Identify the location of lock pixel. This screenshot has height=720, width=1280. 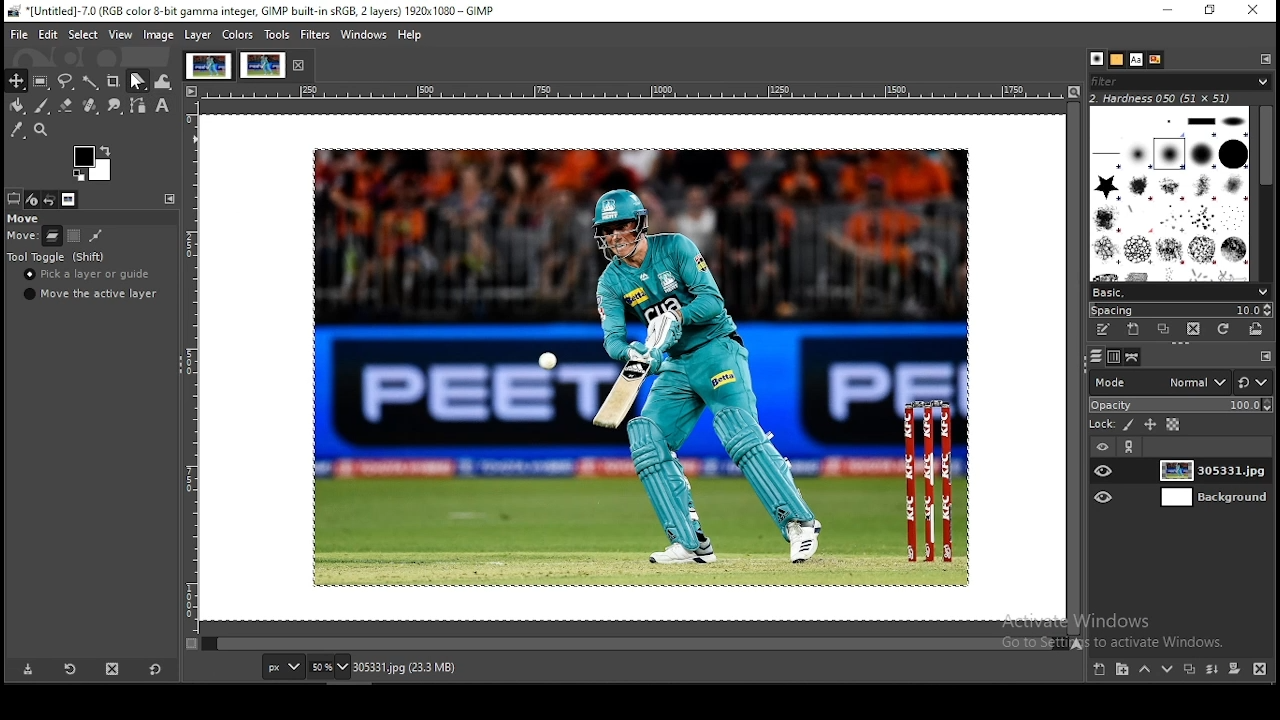
(1129, 427).